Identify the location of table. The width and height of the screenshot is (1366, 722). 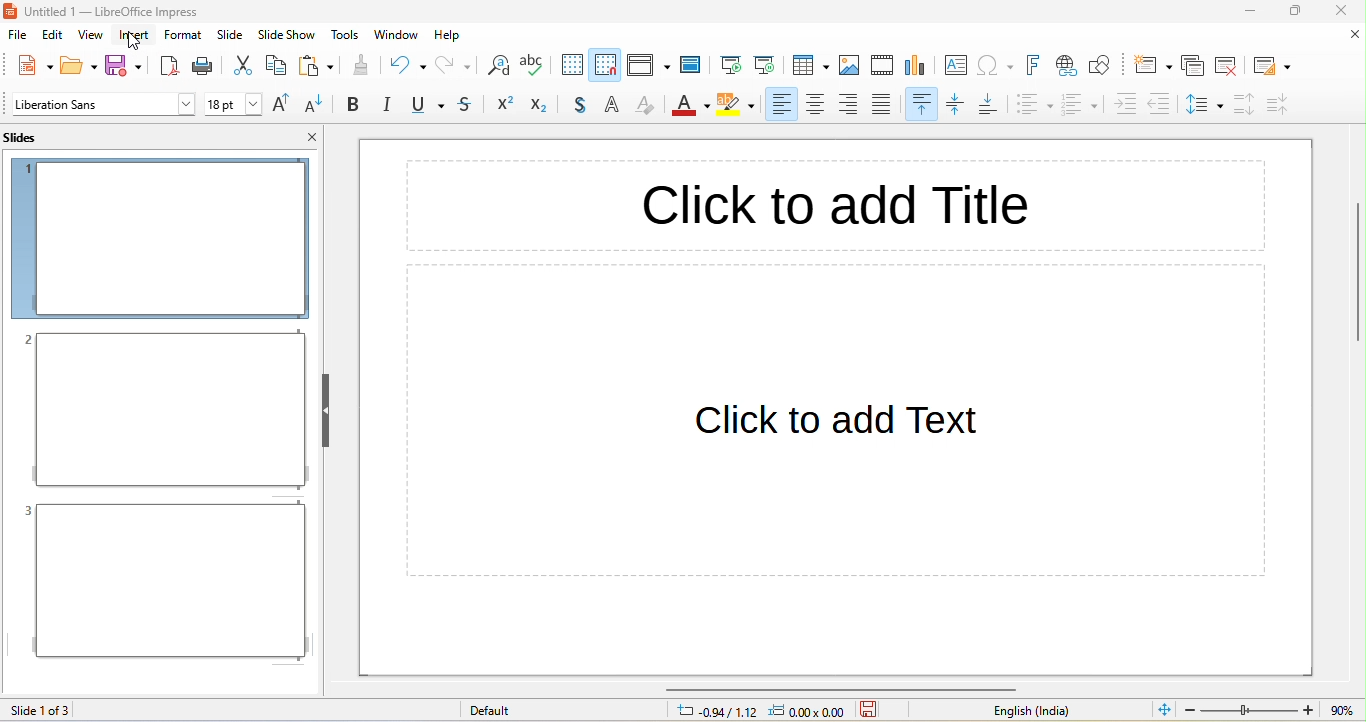
(812, 66).